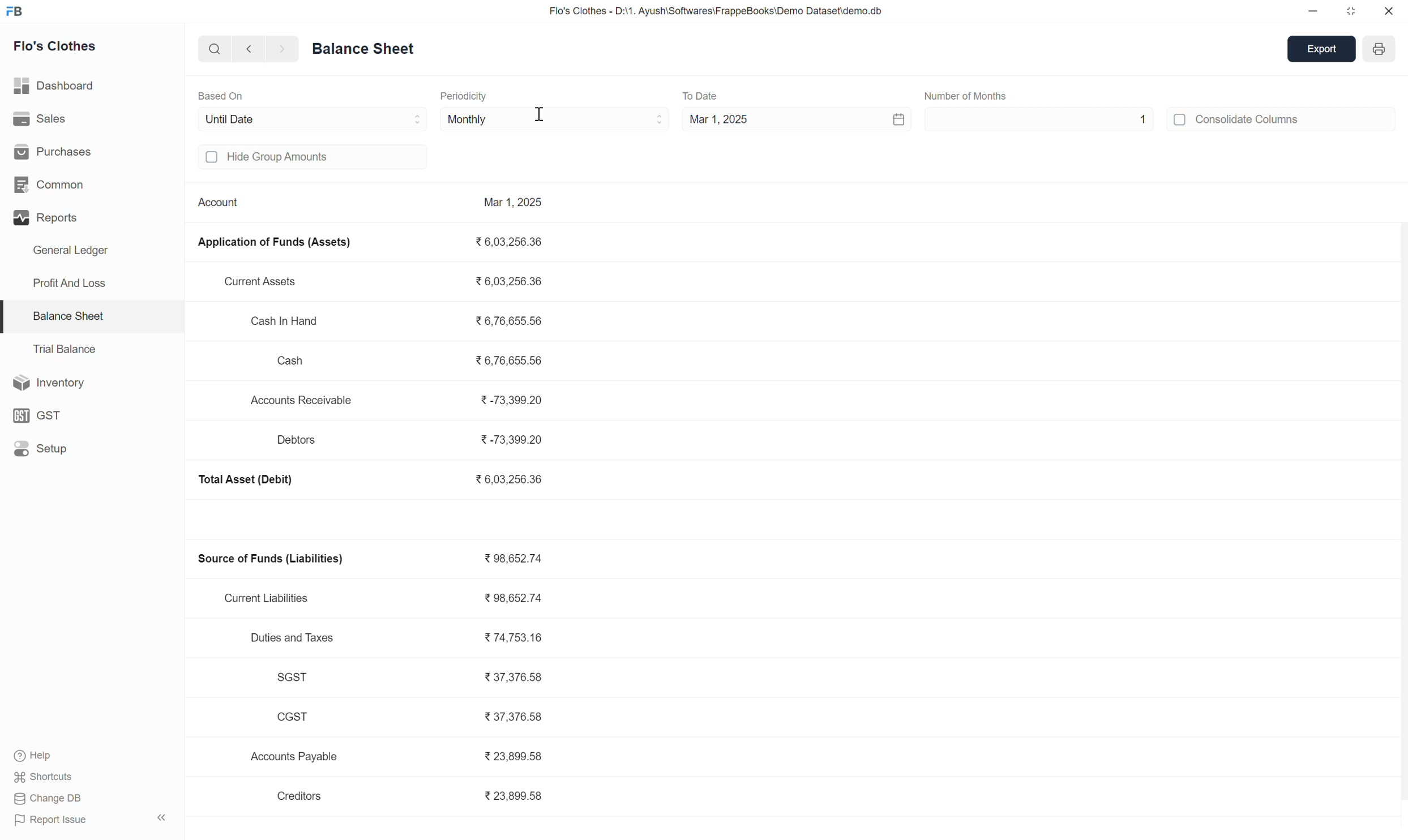 Image resolution: width=1408 pixels, height=840 pixels. Describe the element at coordinates (307, 120) in the screenshot. I see `Until Date` at that location.